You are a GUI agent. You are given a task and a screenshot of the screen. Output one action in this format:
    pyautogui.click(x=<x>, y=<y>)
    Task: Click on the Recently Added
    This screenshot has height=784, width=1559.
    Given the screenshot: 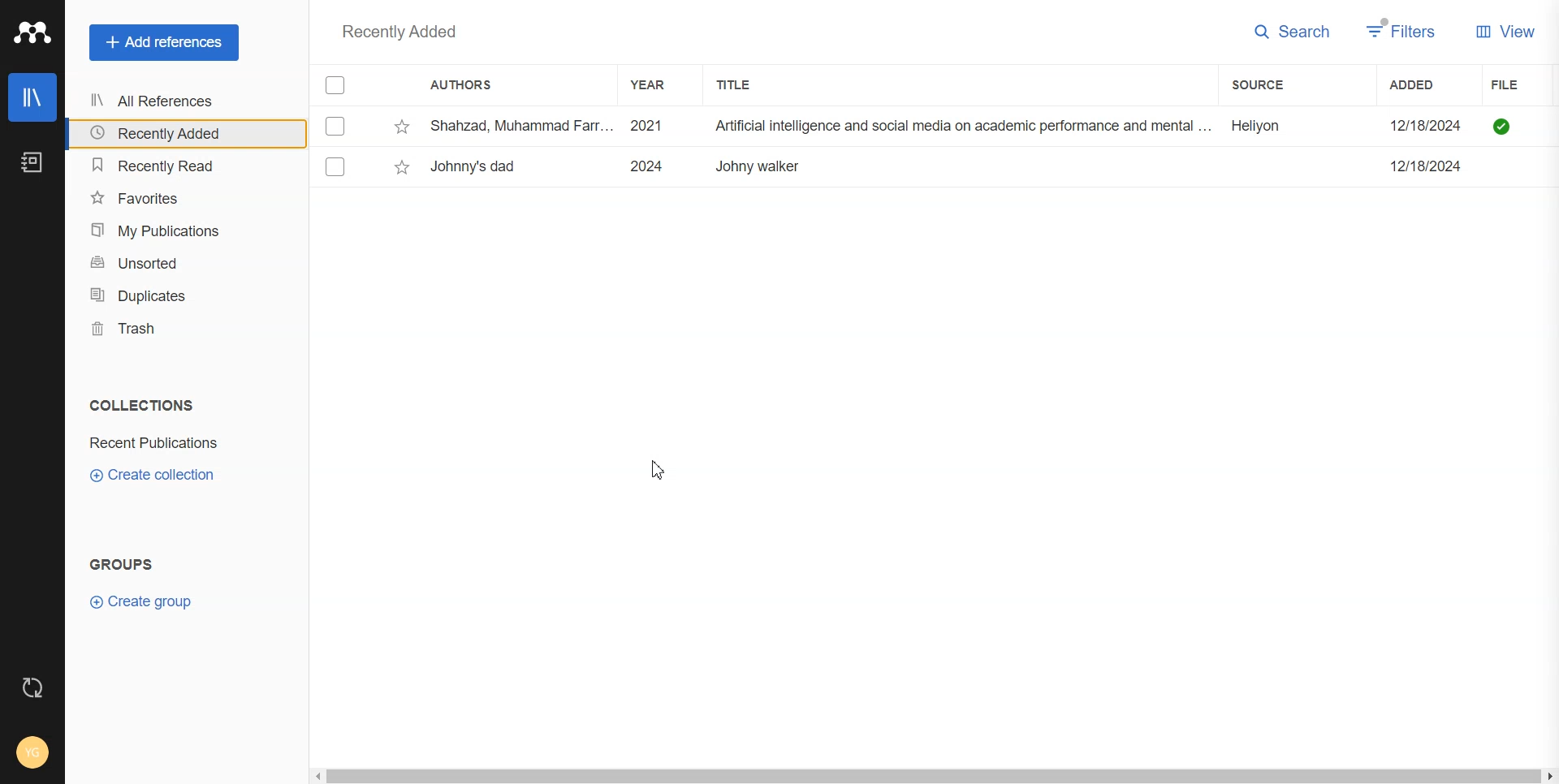 What is the action you would take?
    pyautogui.click(x=181, y=134)
    